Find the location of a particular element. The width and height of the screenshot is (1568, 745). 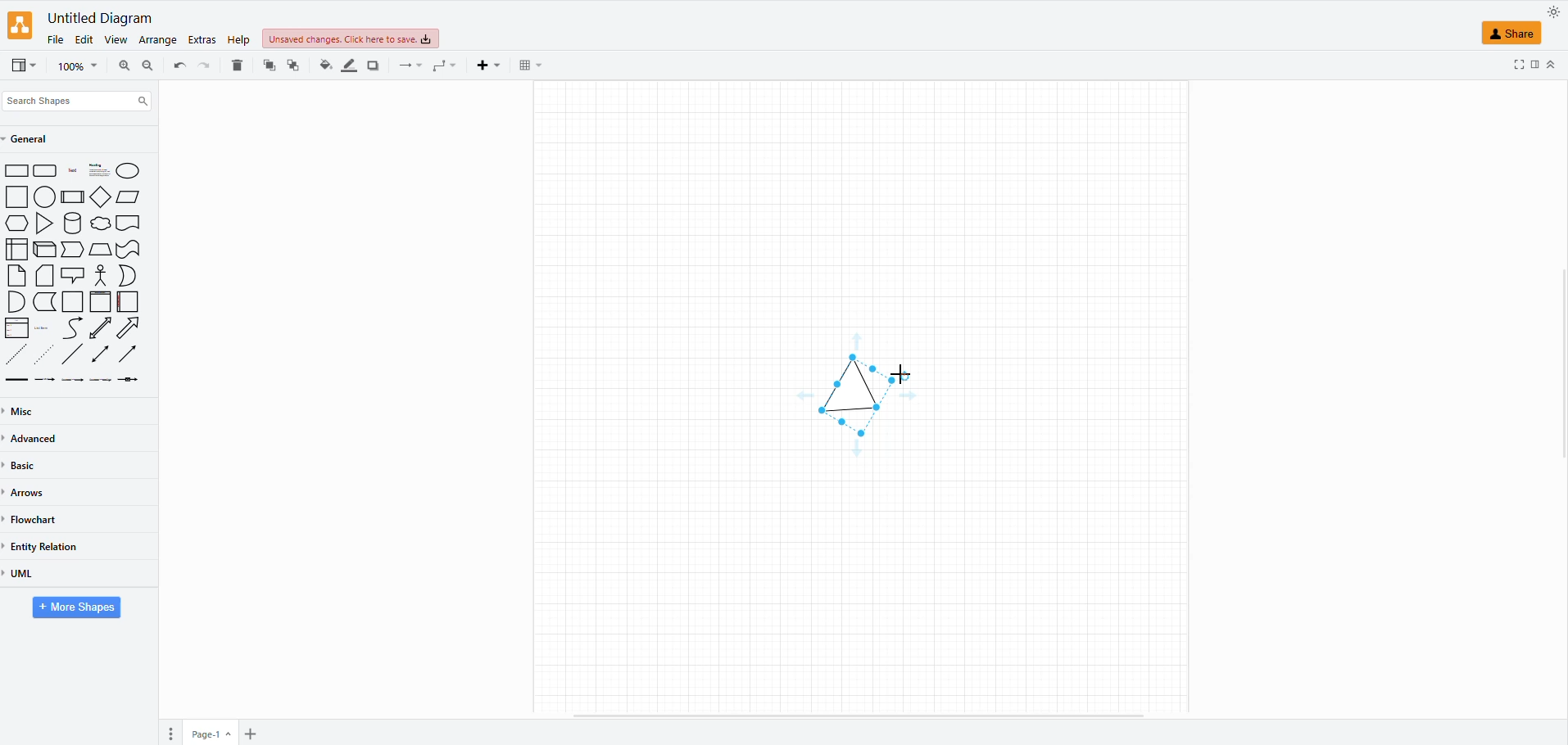

arrange is located at coordinates (157, 38).